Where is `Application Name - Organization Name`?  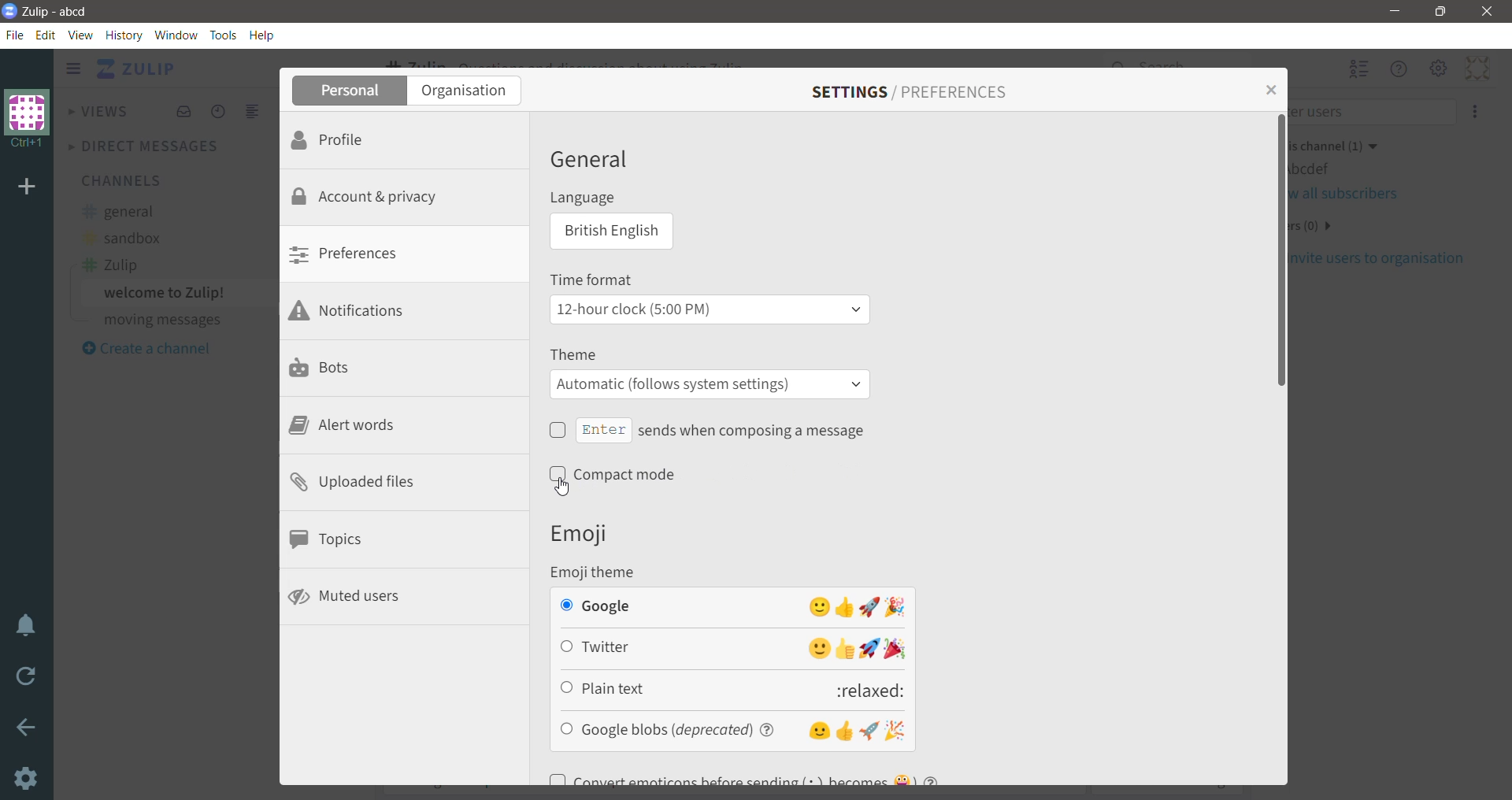 Application Name - Organization Name is located at coordinates (61, 12).